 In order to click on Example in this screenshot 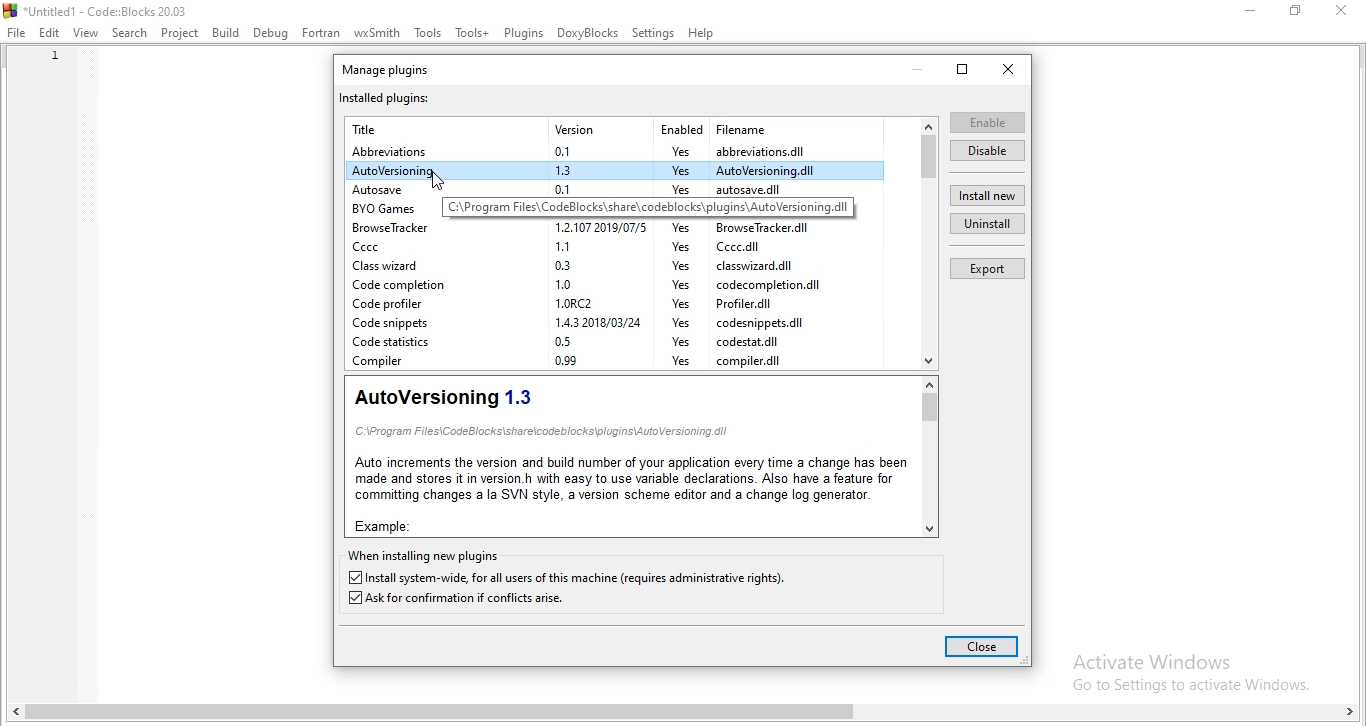, I will do `click(391, 525)`.